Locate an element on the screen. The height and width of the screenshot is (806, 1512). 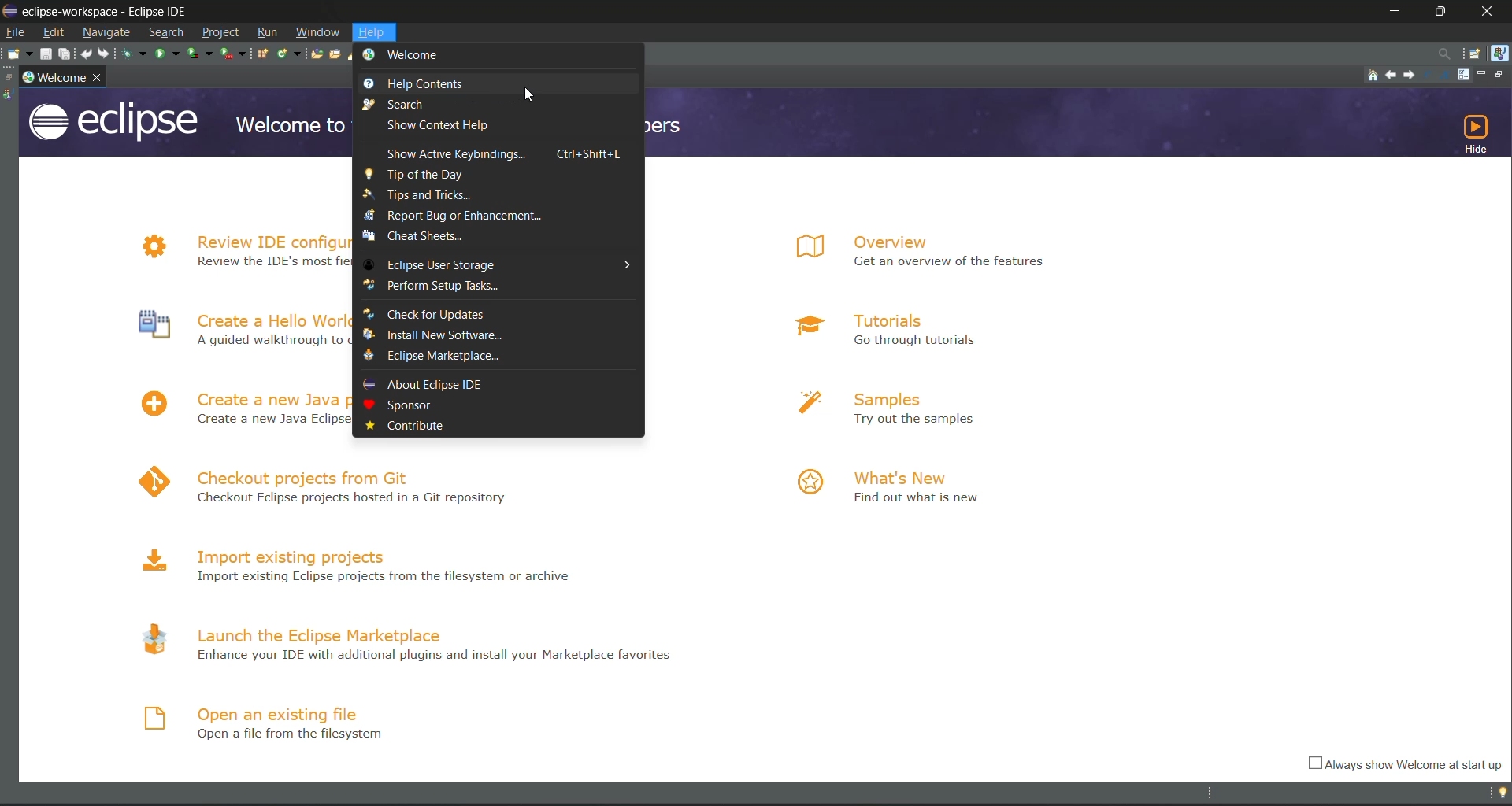
tip of the day is located at coordinates (1502, 793).